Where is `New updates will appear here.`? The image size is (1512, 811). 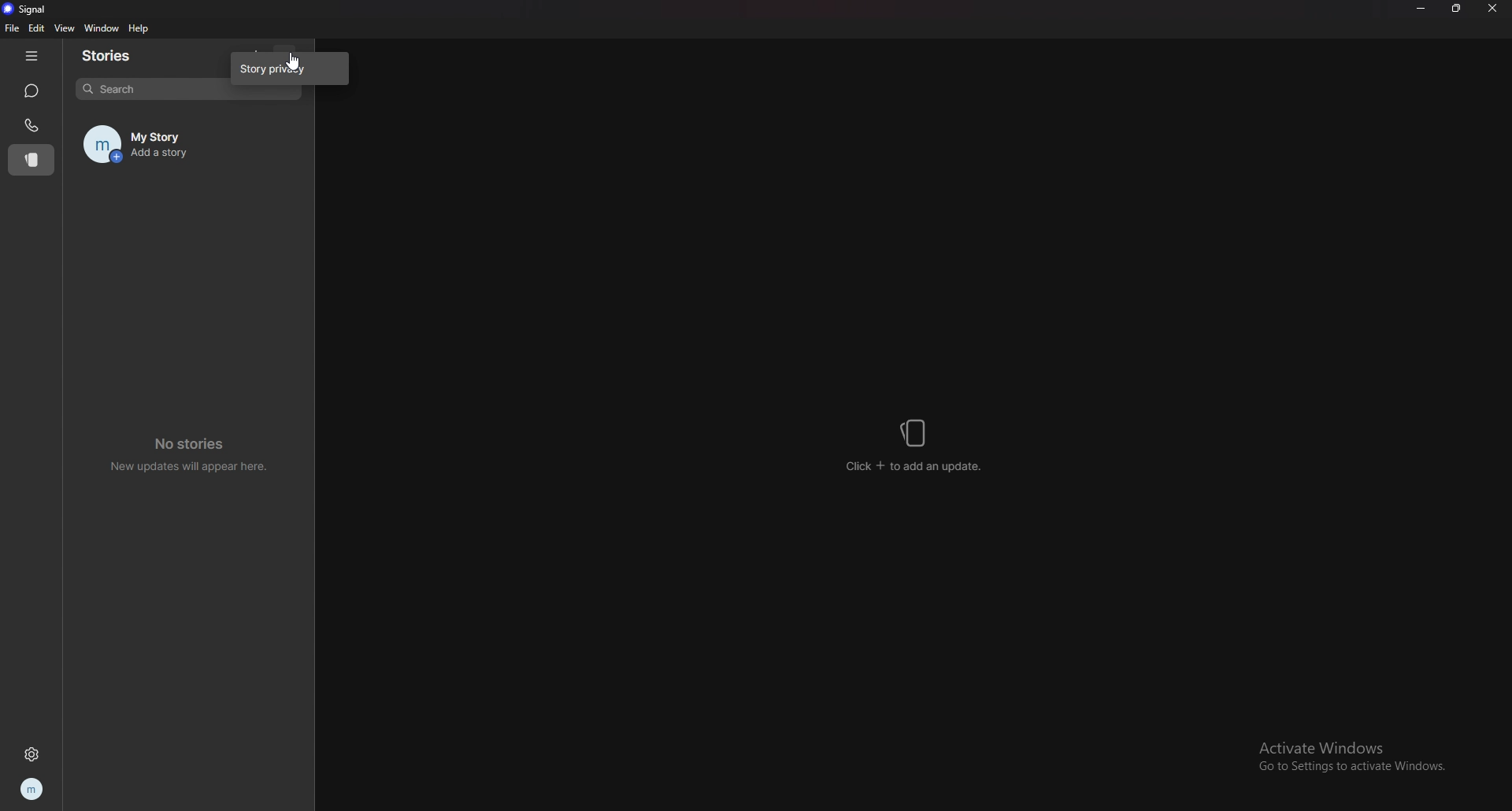 New updates will appear here. is located at coordinates (191, 467).